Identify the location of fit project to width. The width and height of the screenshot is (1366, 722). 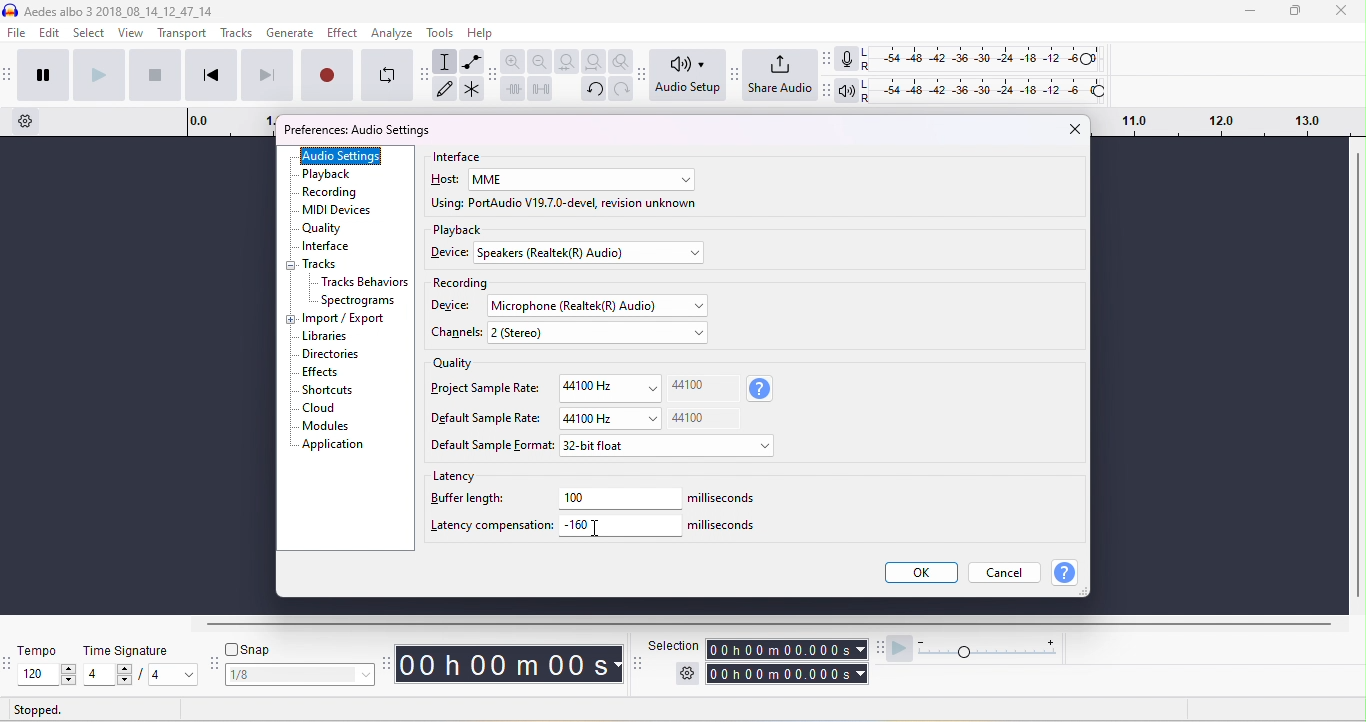
(596, 62).